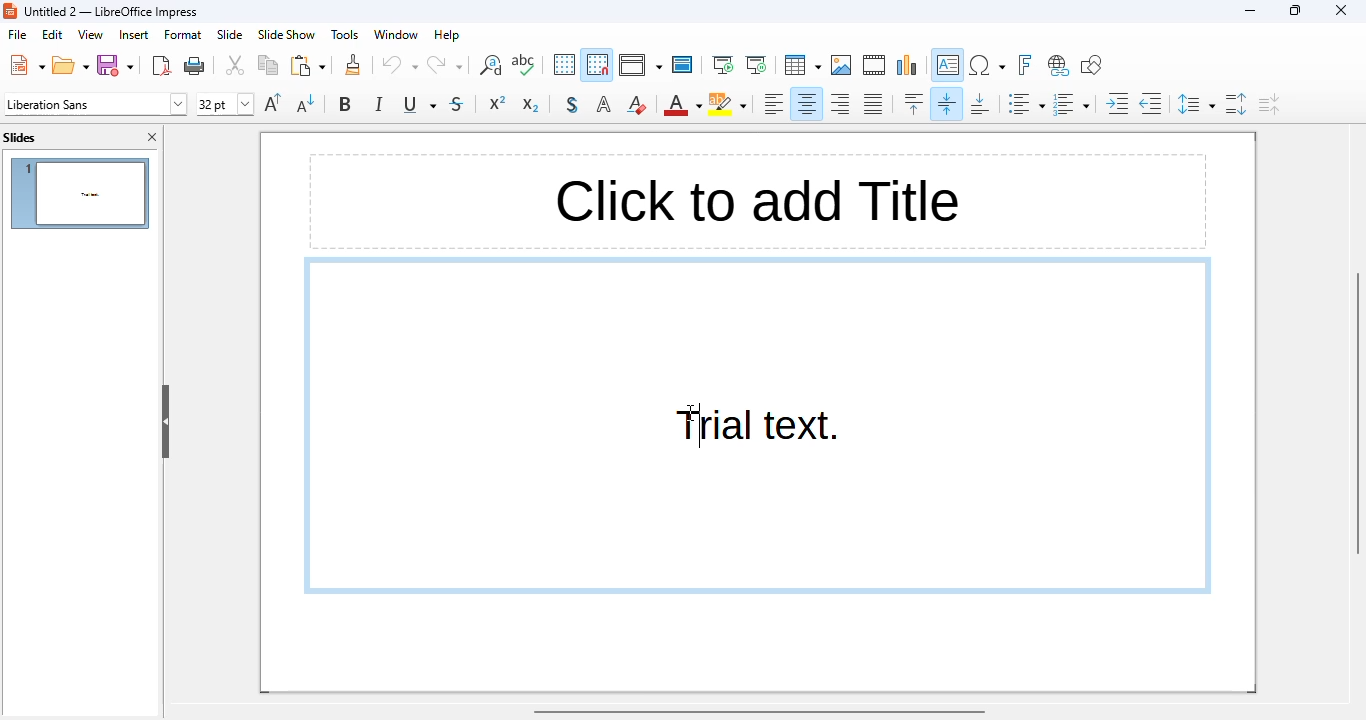  Describe the element at coordinates (639, 65) in the screenshot. I see `display views` at that location.